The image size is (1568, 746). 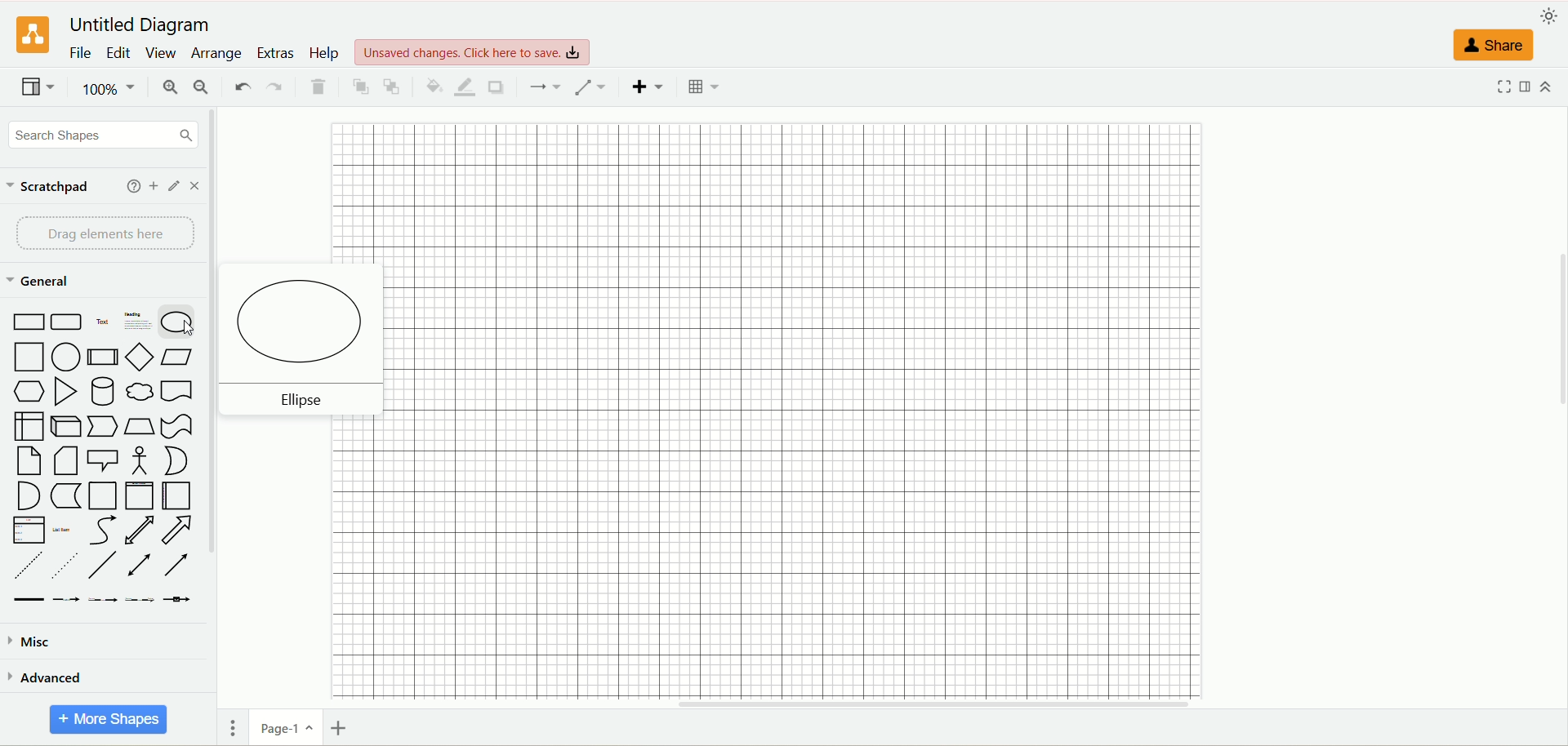 I want to click on artboard, so click(x=788, y=408).